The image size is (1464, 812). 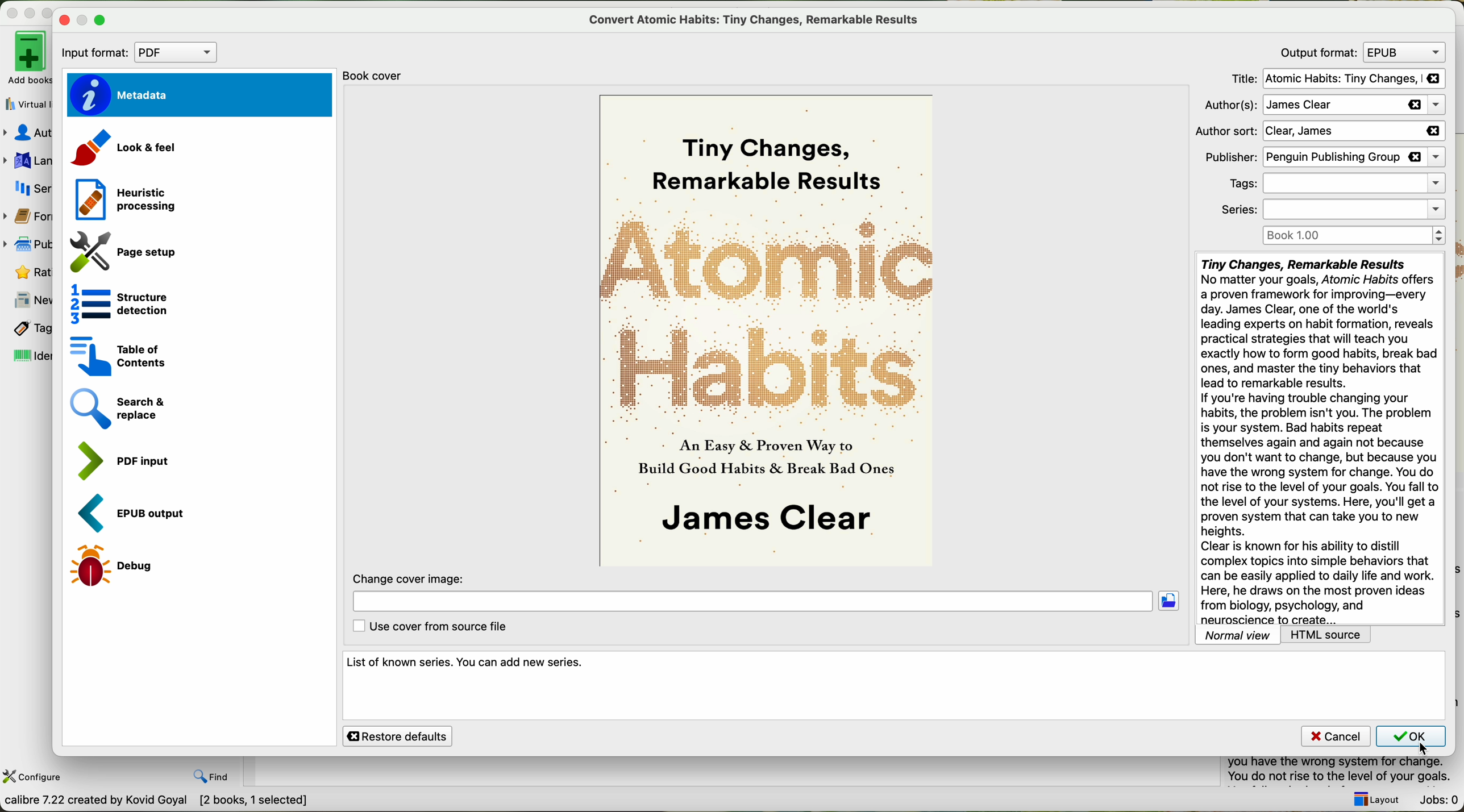 What do you see at coordinates (1238, 635) in the screenshot?
I see `normal view` at bounding box center [1238, 635].